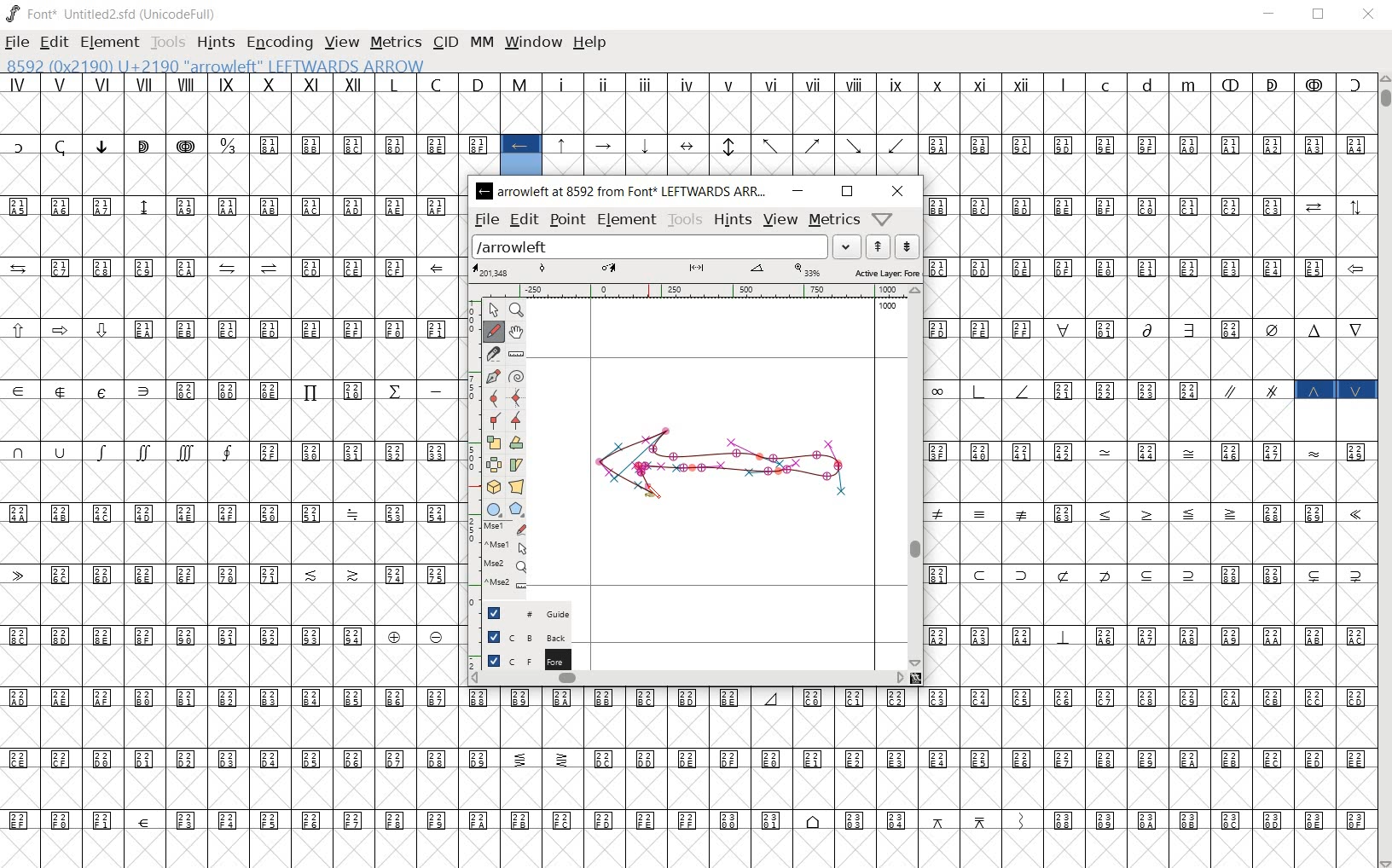  Describe the element at coordinates (660, 499) in the screenshot. I see `pencil tool` at that location.